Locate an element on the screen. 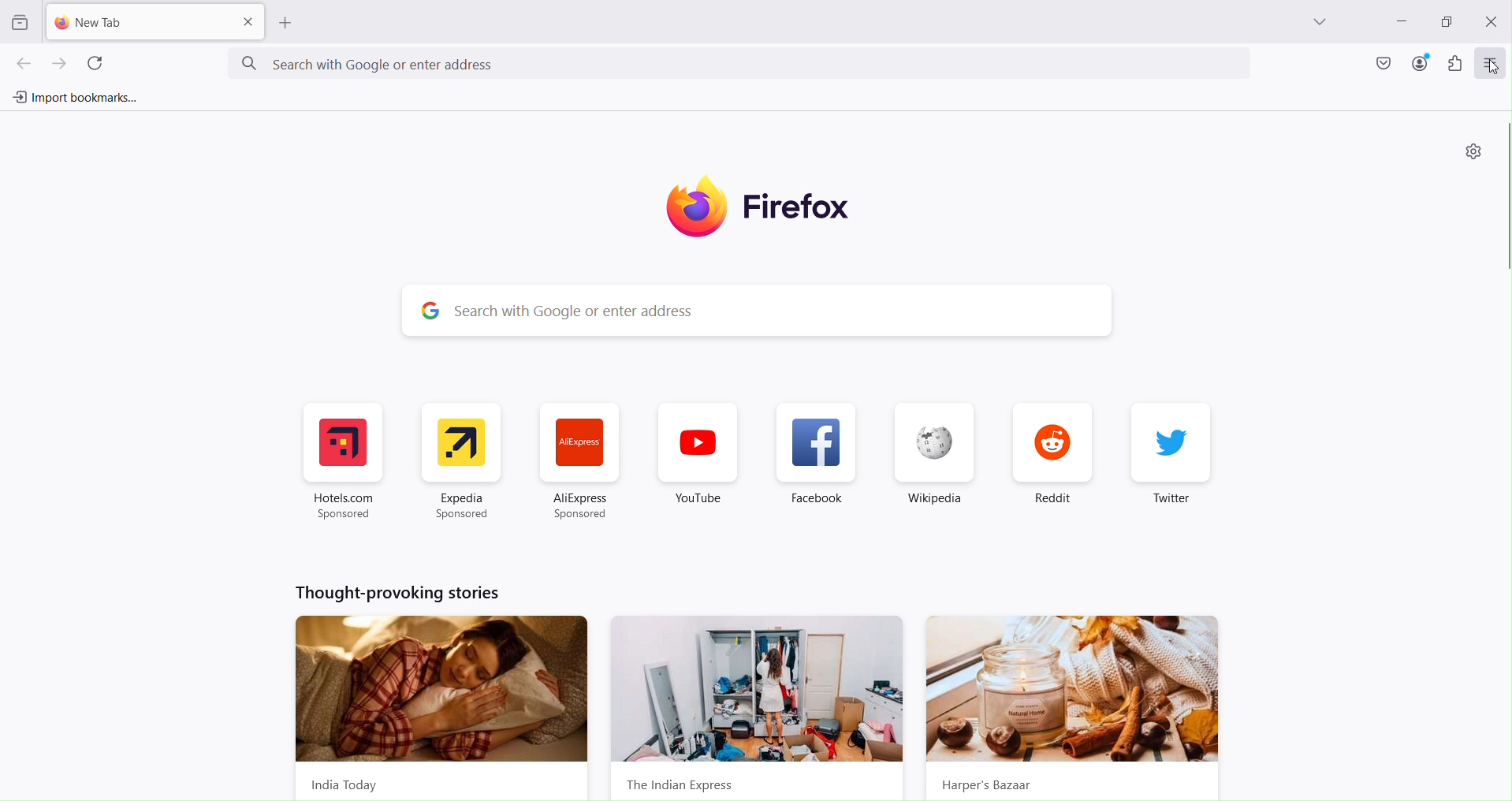 The image size is (1512, 801). Reddit Shortcut is located at coordinates (1050, 462).